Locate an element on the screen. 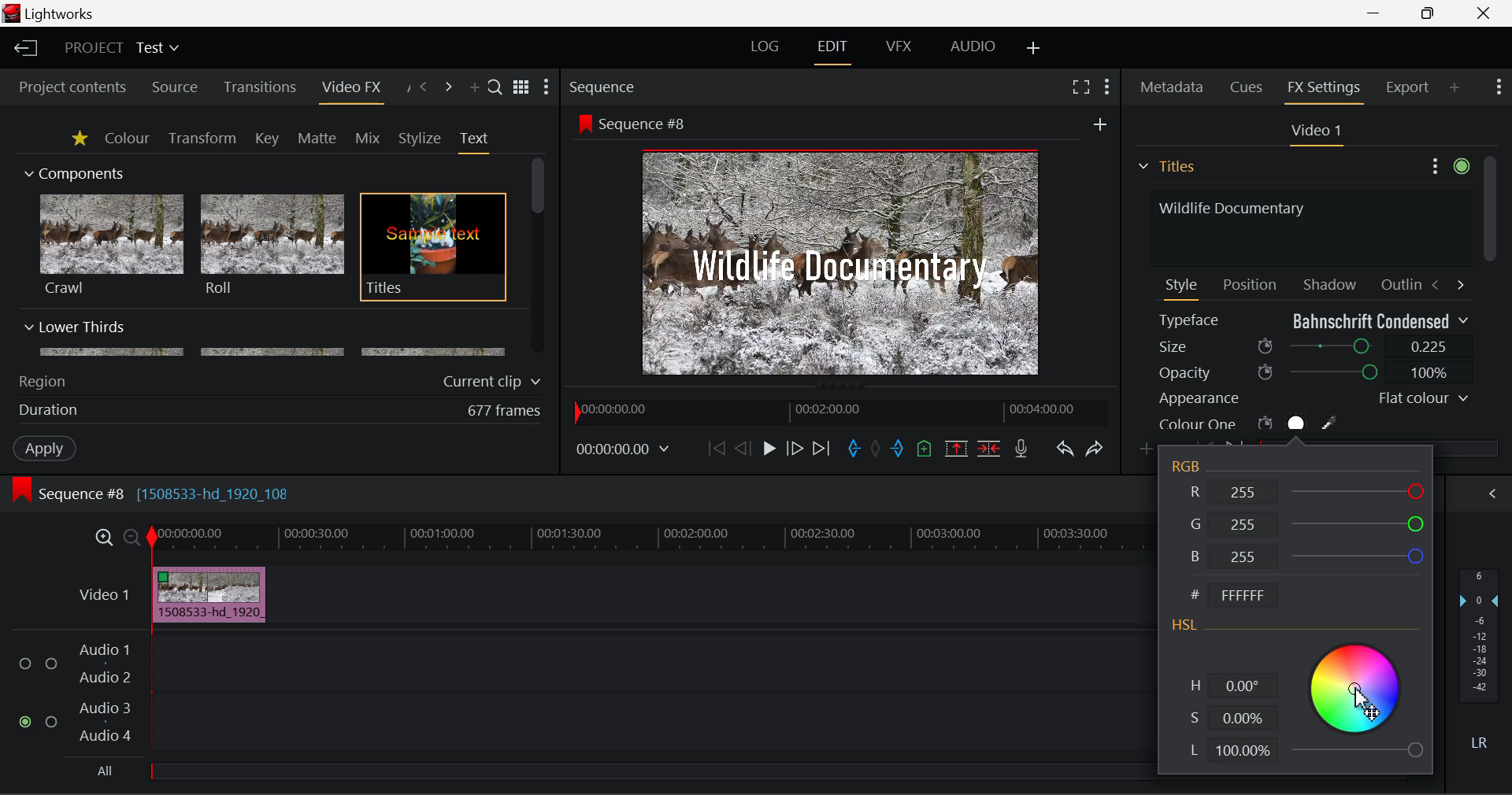  677 frames is located at coordinates (505, 412).